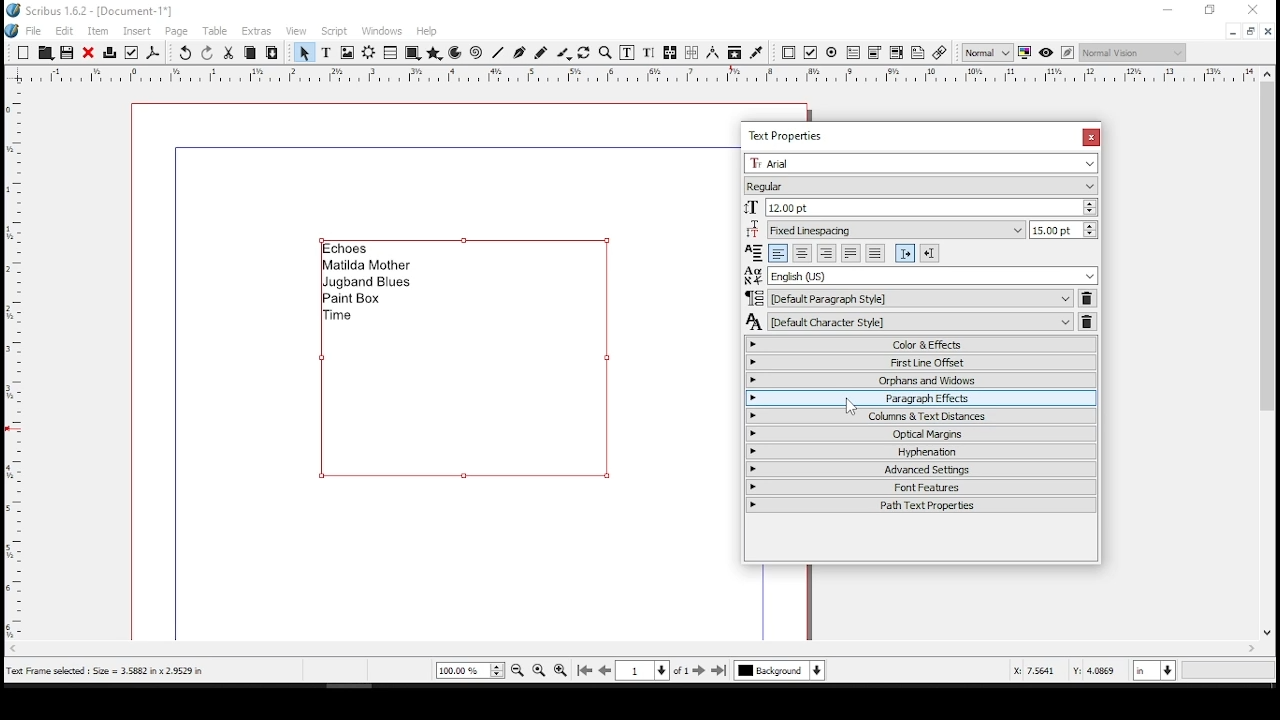 Image resolution: width=1280 pixels, height=720 pixels. What do you see at coordinates (1087, 321) in the screenshot?
I see `delete character style` at bounding box center [1087, 321].